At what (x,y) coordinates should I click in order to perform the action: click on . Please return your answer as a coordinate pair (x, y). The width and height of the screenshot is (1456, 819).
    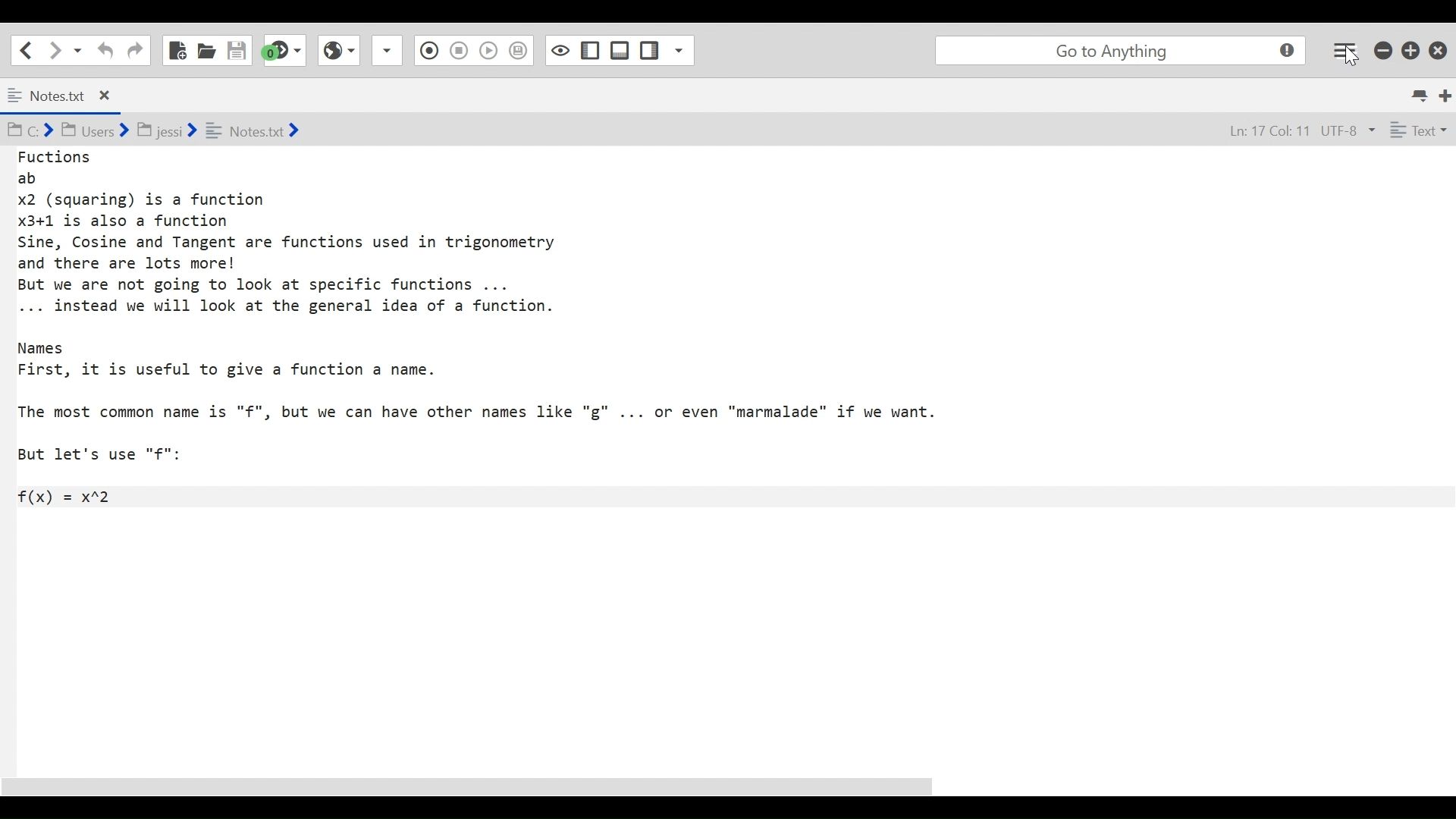
    Looking at the image, I should click on (135, 51).